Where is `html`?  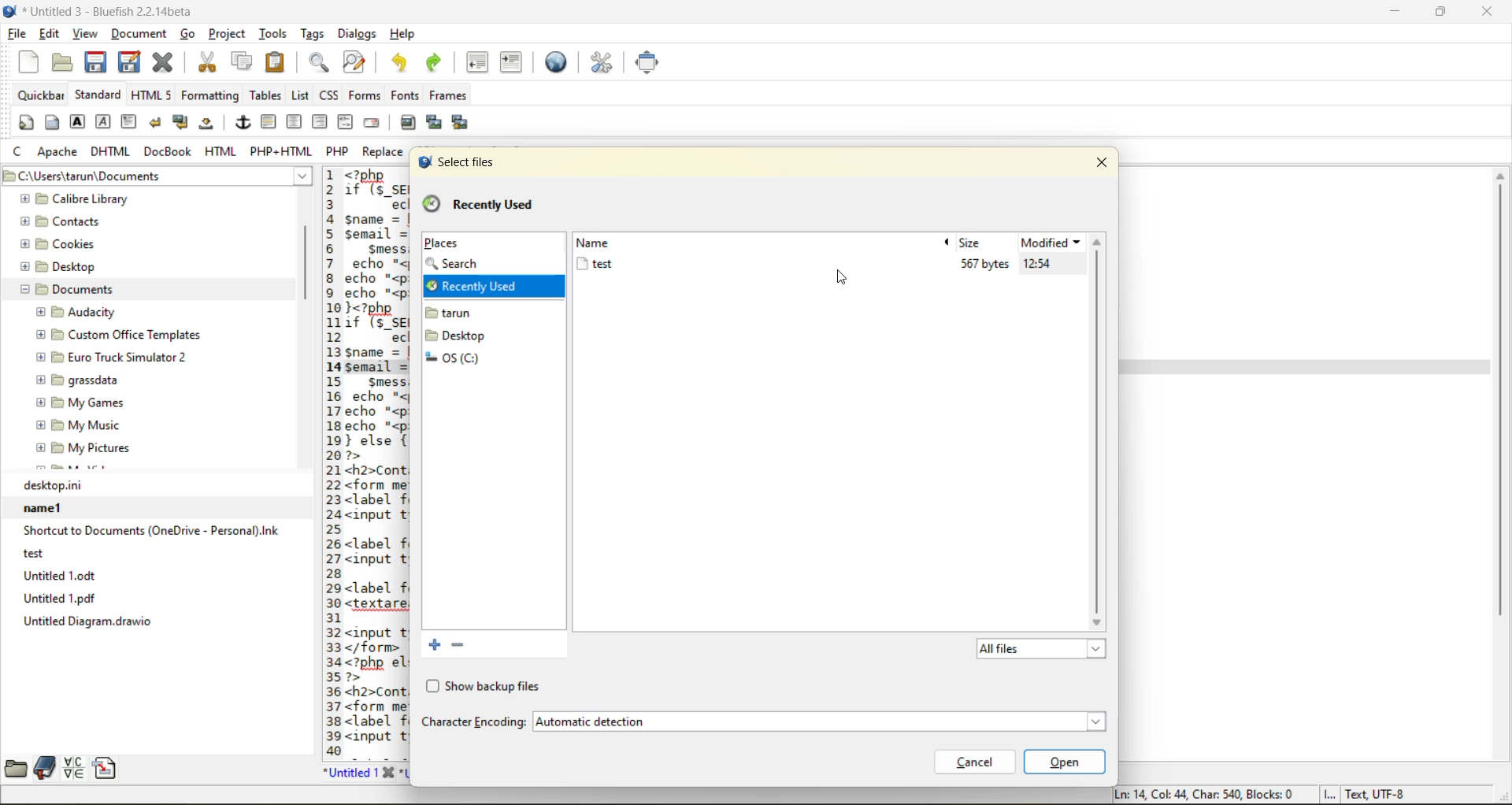 html is located at coordinates (221, 153).